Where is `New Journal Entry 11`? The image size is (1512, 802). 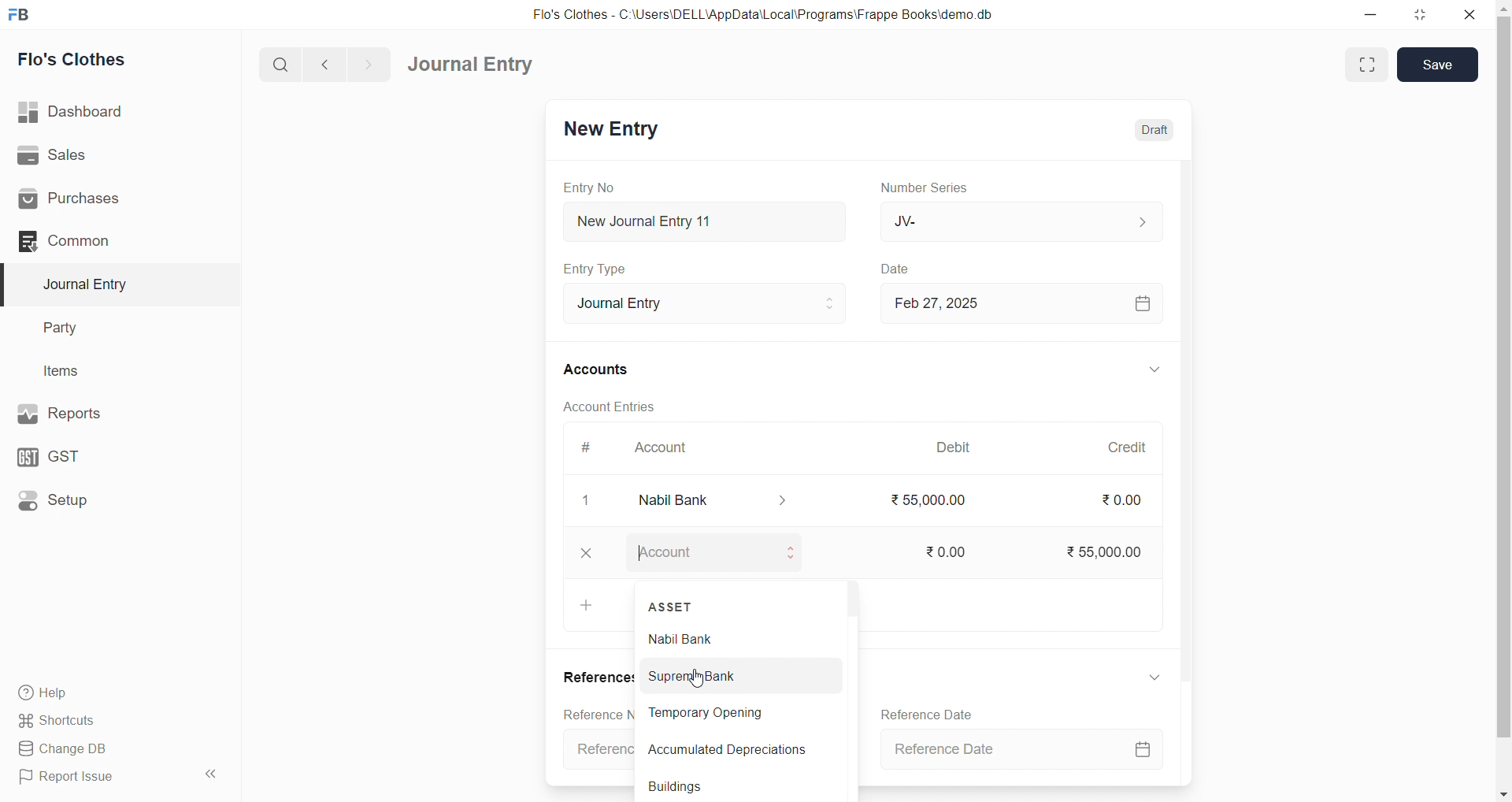
New Journal Entry 11 is located at coordinates (713, 221).